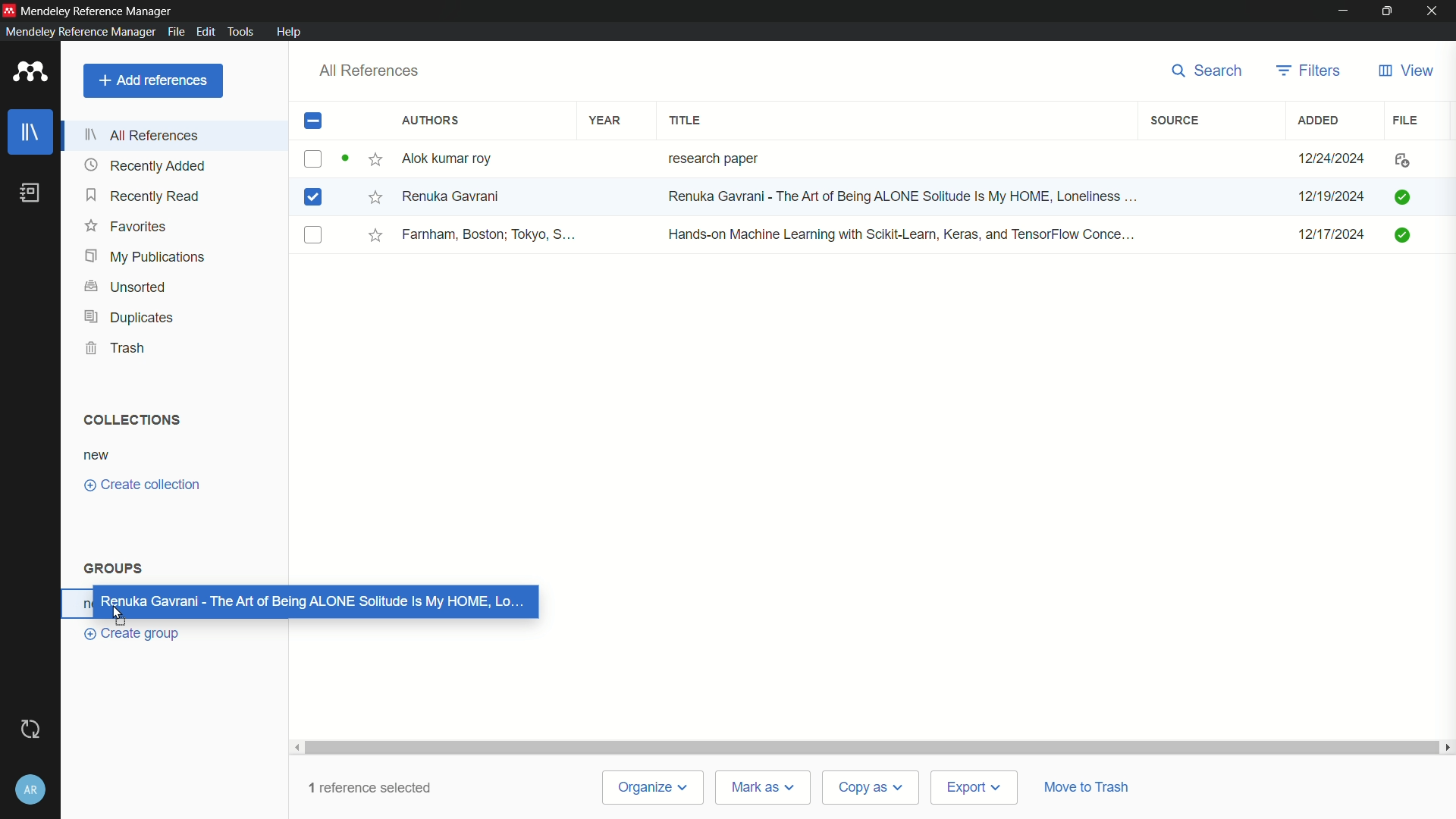 The width and height of the screenshot is (1456, 819). I want to click on organize, so click(657, 787).